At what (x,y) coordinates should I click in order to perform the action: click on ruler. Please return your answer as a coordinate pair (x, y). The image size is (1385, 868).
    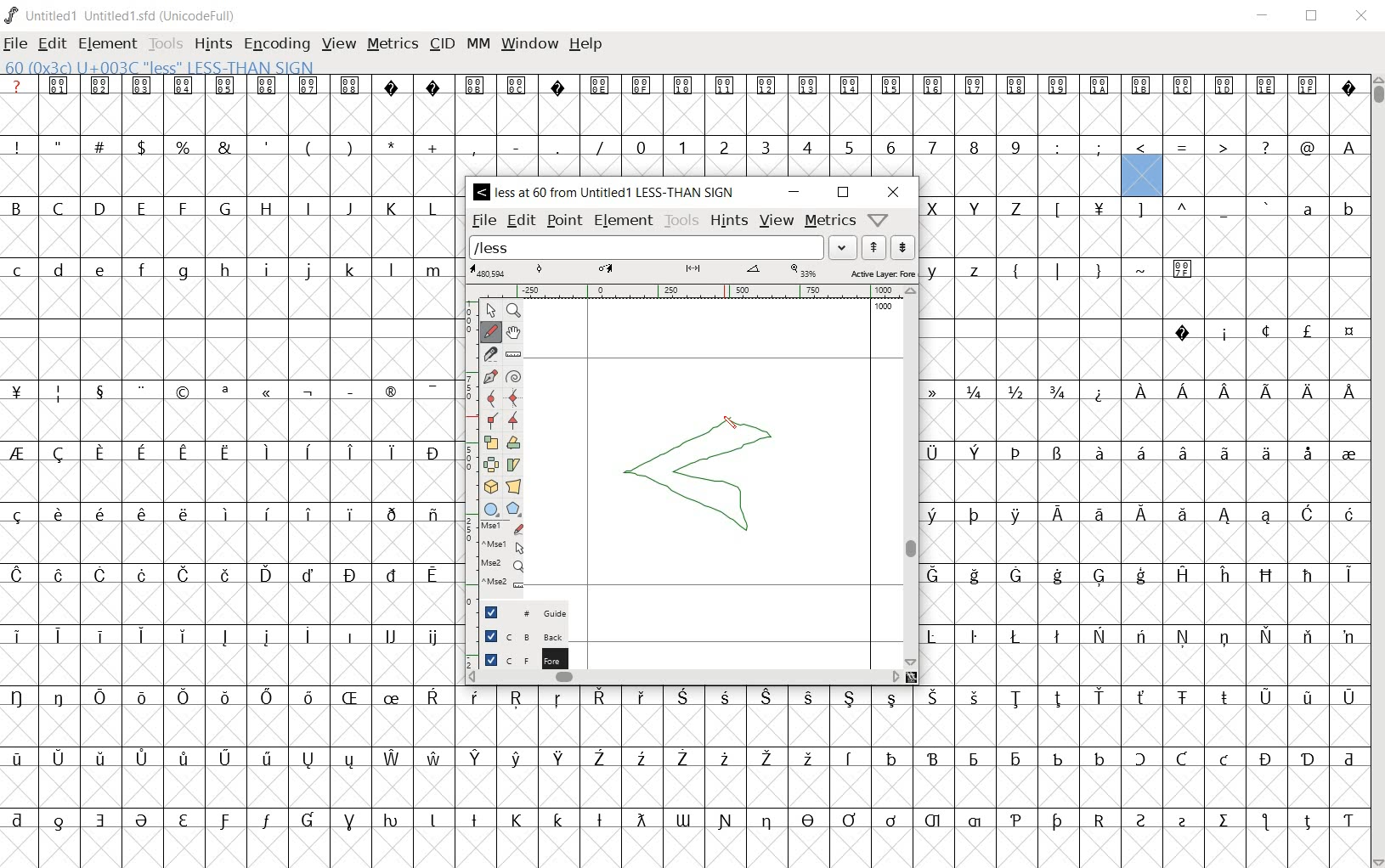
    Looking at the image, I should click on (691, 293).